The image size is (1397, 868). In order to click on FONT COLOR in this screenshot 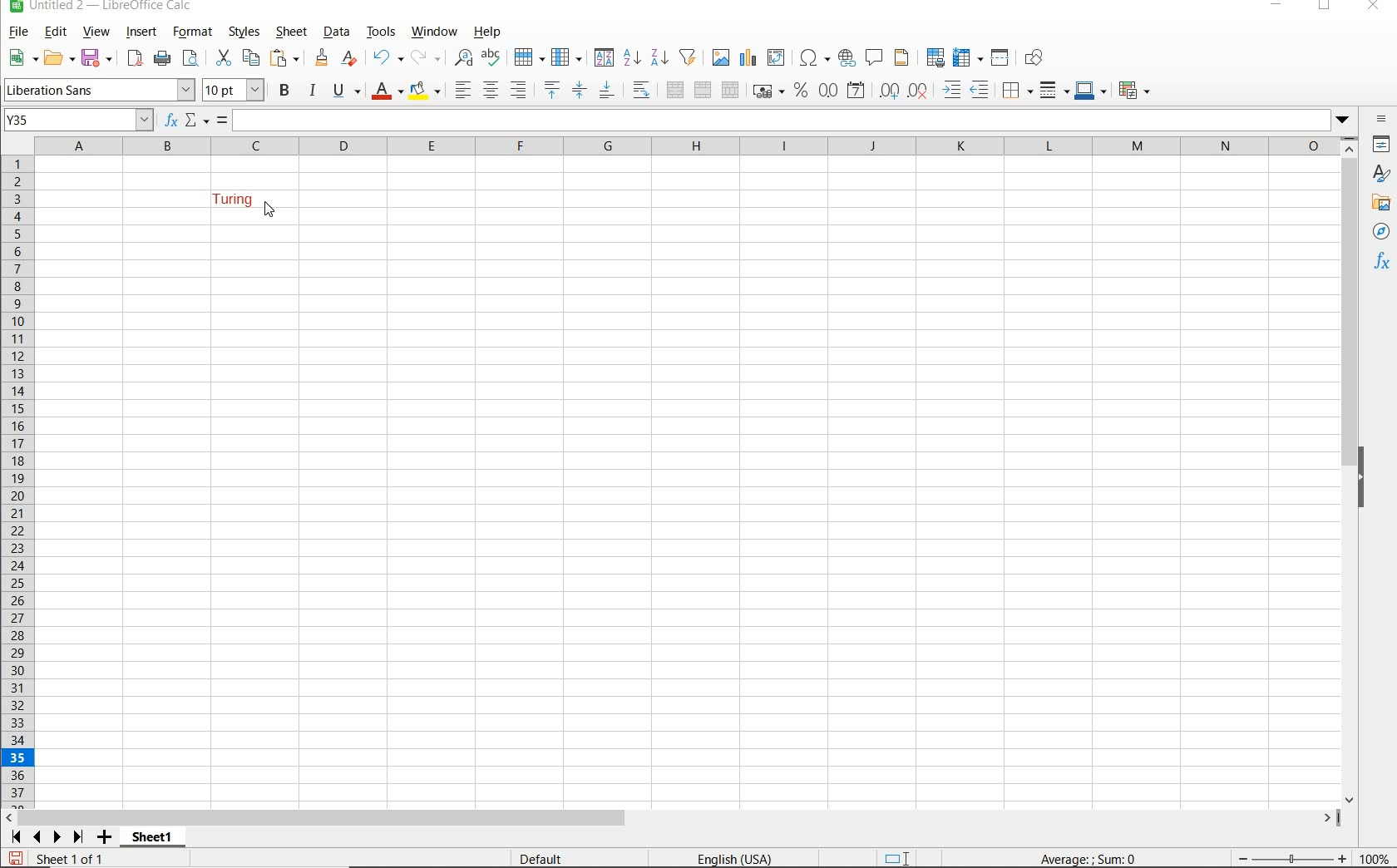, I will do `click(387, 91)`.